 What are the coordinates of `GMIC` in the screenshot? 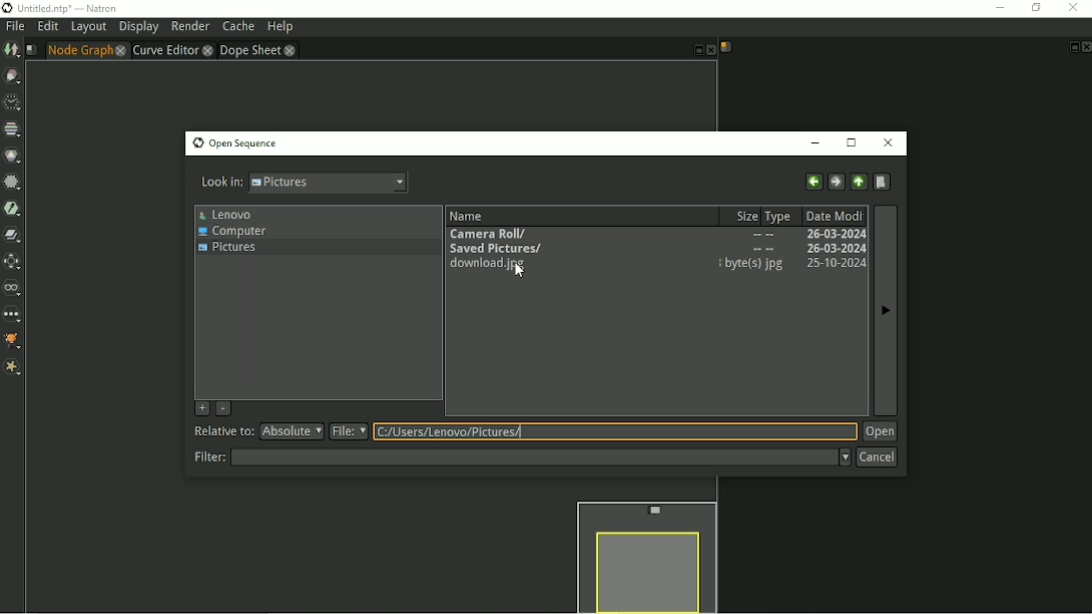 It's located at (14, 343).